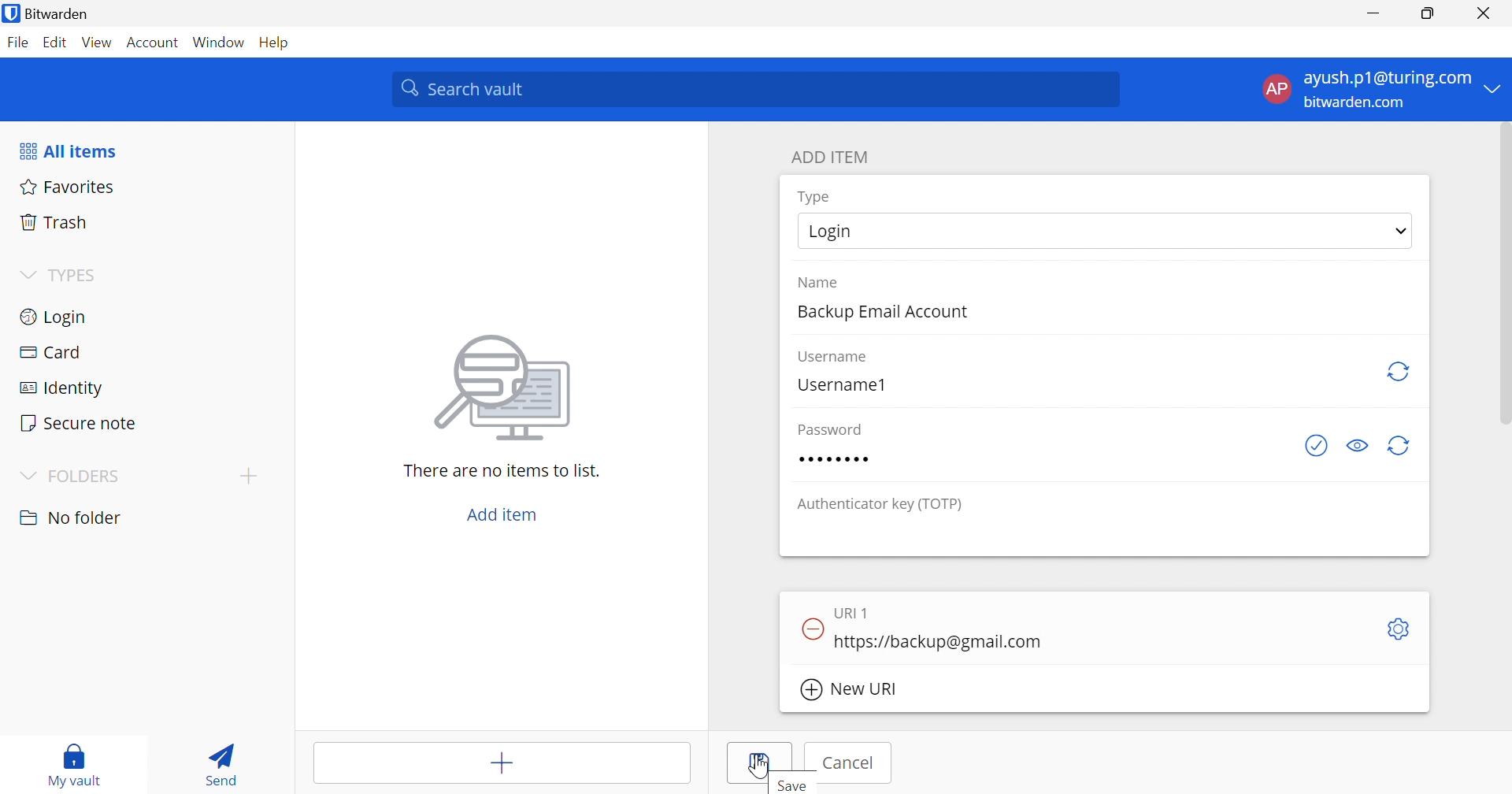 This screenshot has width=1512, height=794. I want to click on Add item, so click(503, 513).